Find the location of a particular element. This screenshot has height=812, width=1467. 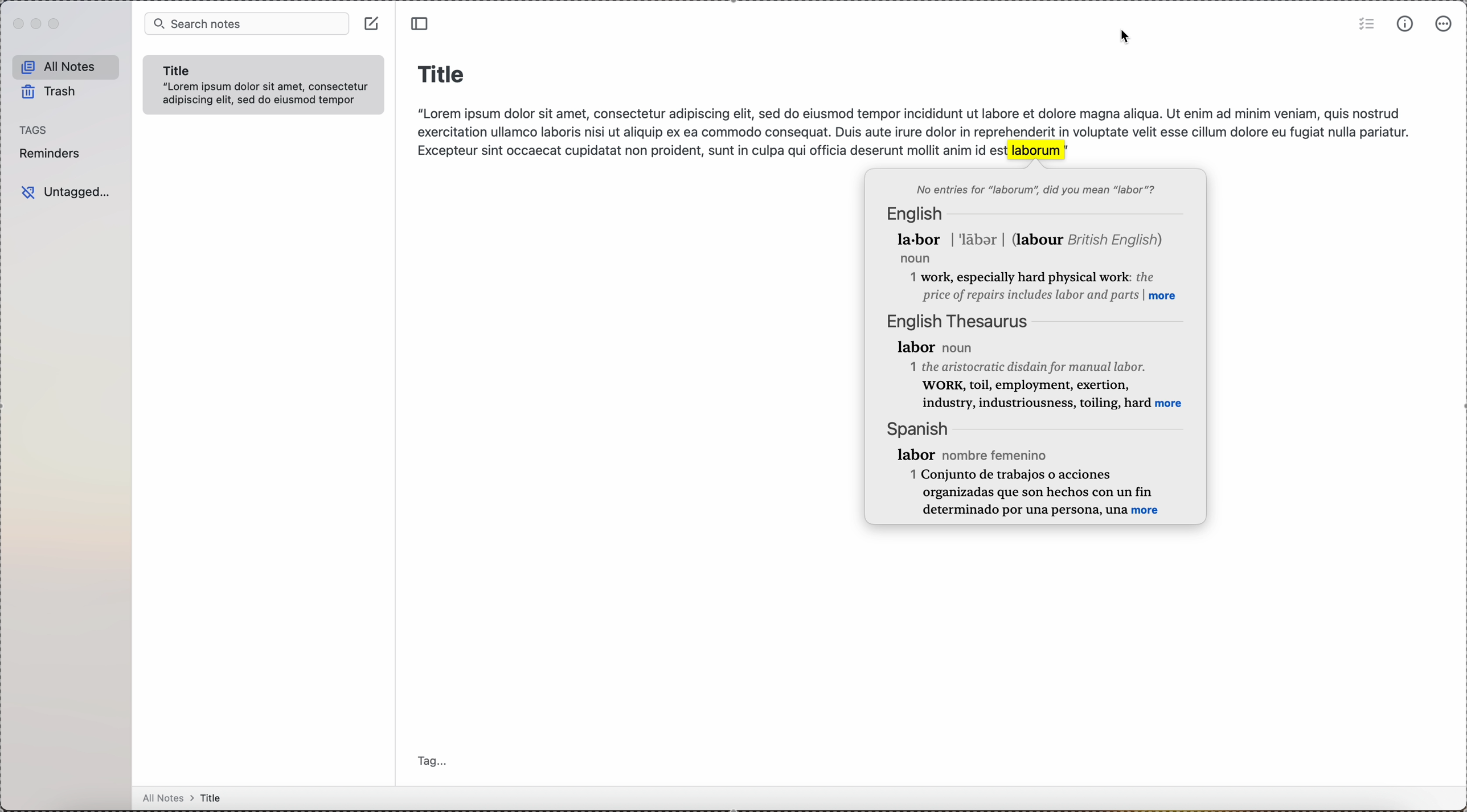

look up word is located at coordinates (1036, 149).